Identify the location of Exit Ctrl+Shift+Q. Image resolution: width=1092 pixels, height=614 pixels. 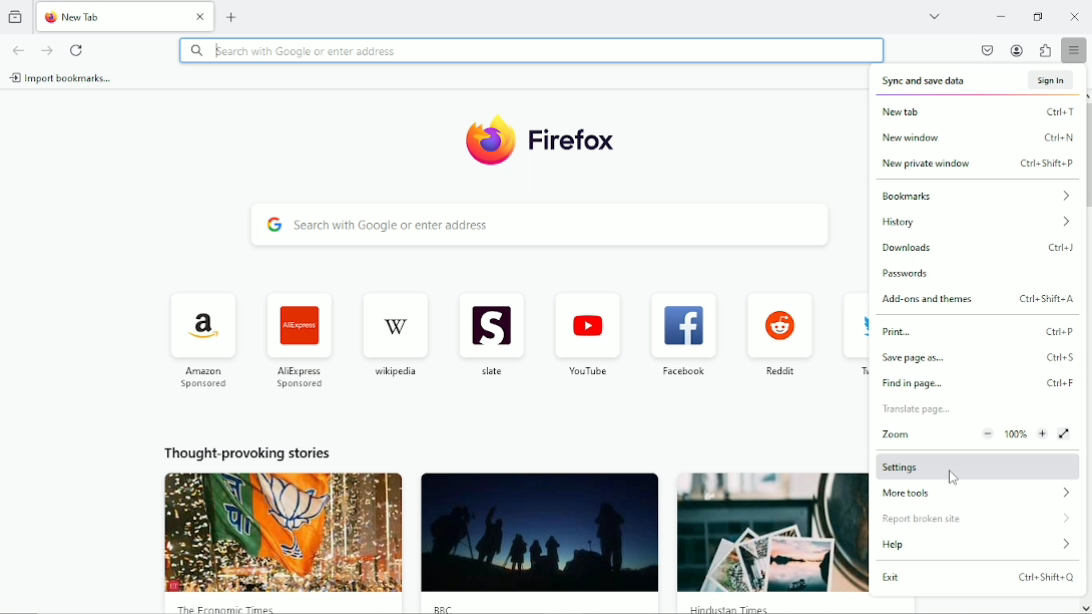
(979, 578).